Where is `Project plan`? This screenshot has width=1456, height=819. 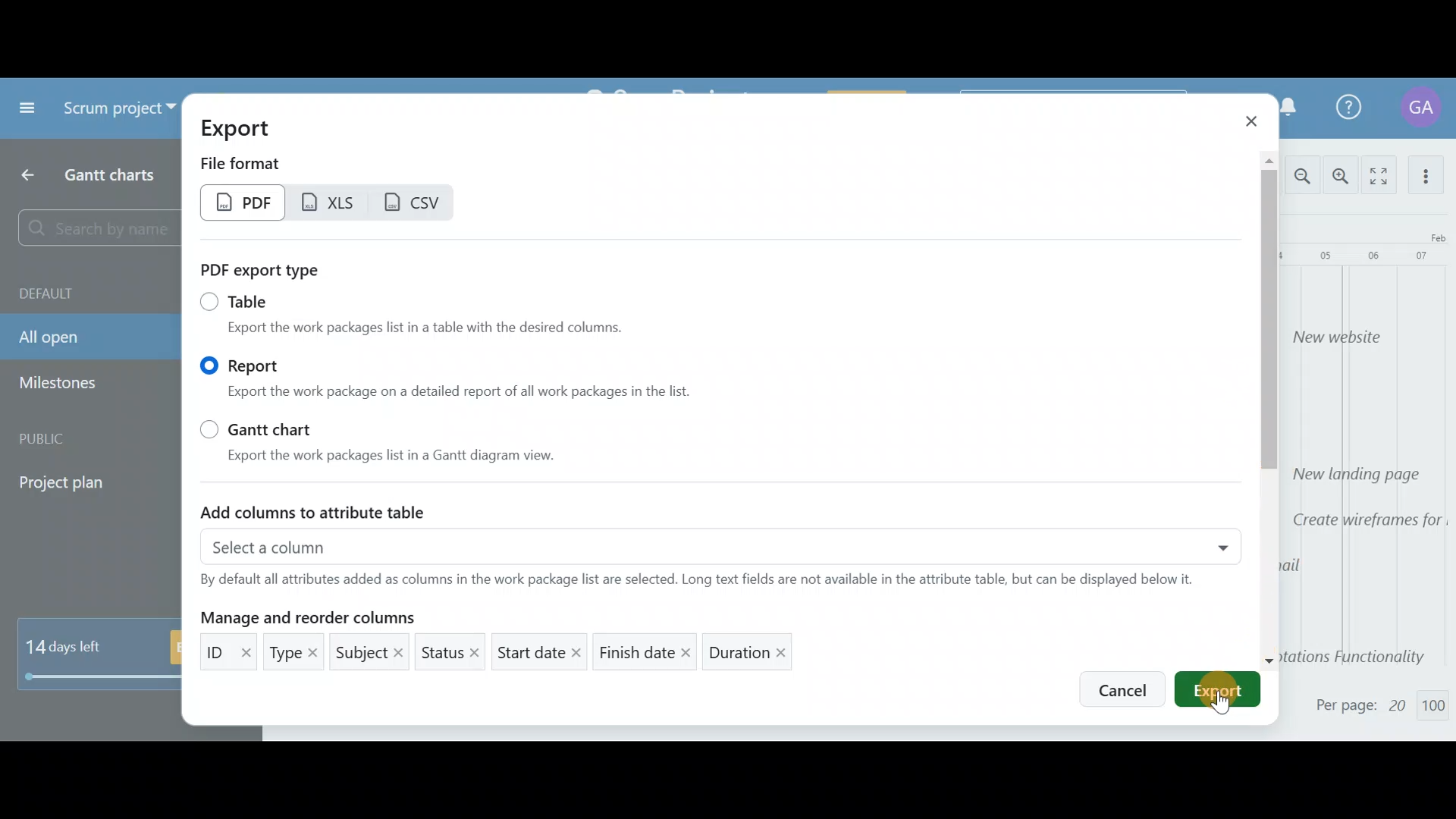
Project plan is located at coordinates (93, 483).